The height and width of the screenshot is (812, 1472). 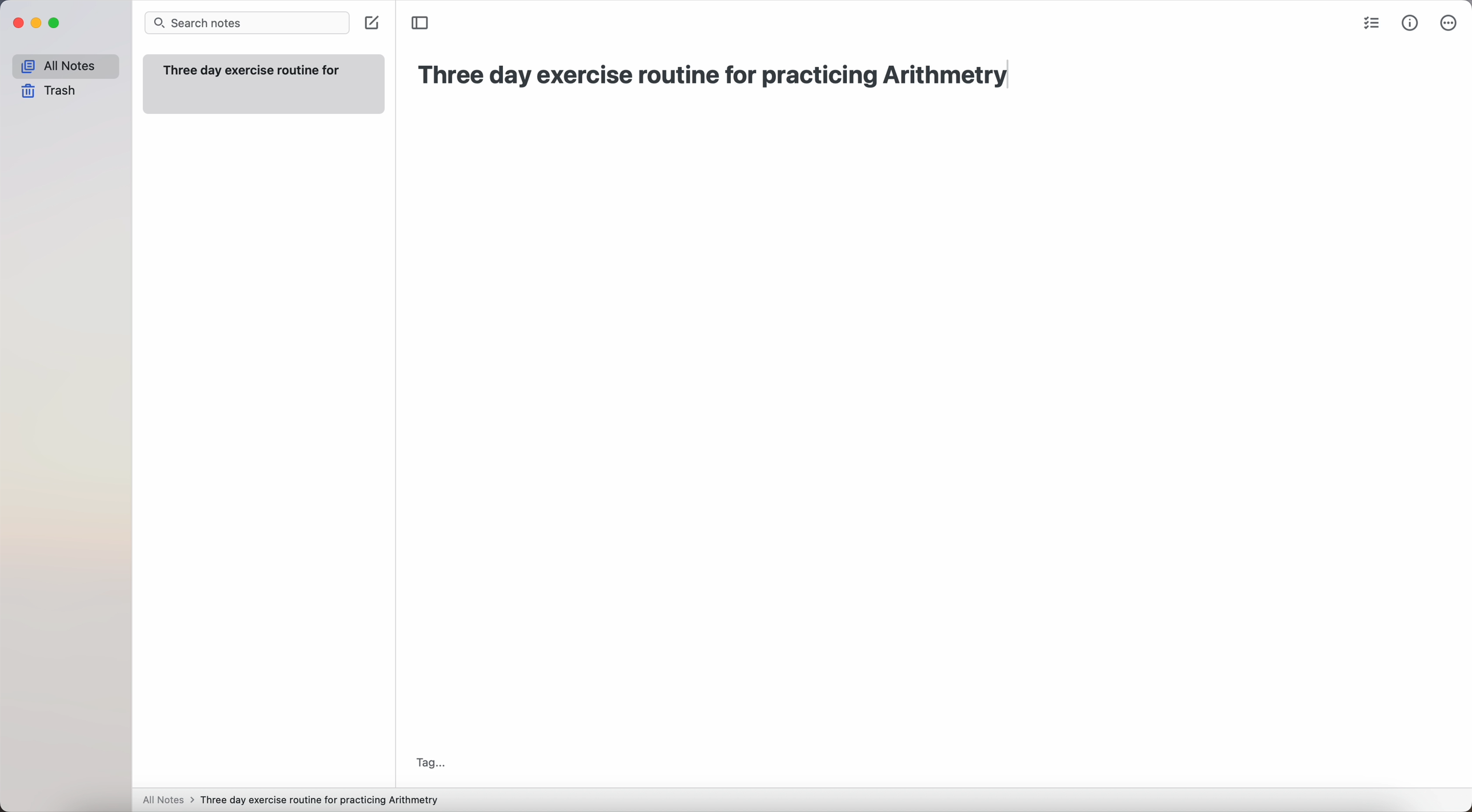 I want to click on all notes, so click(x=169, y=799).